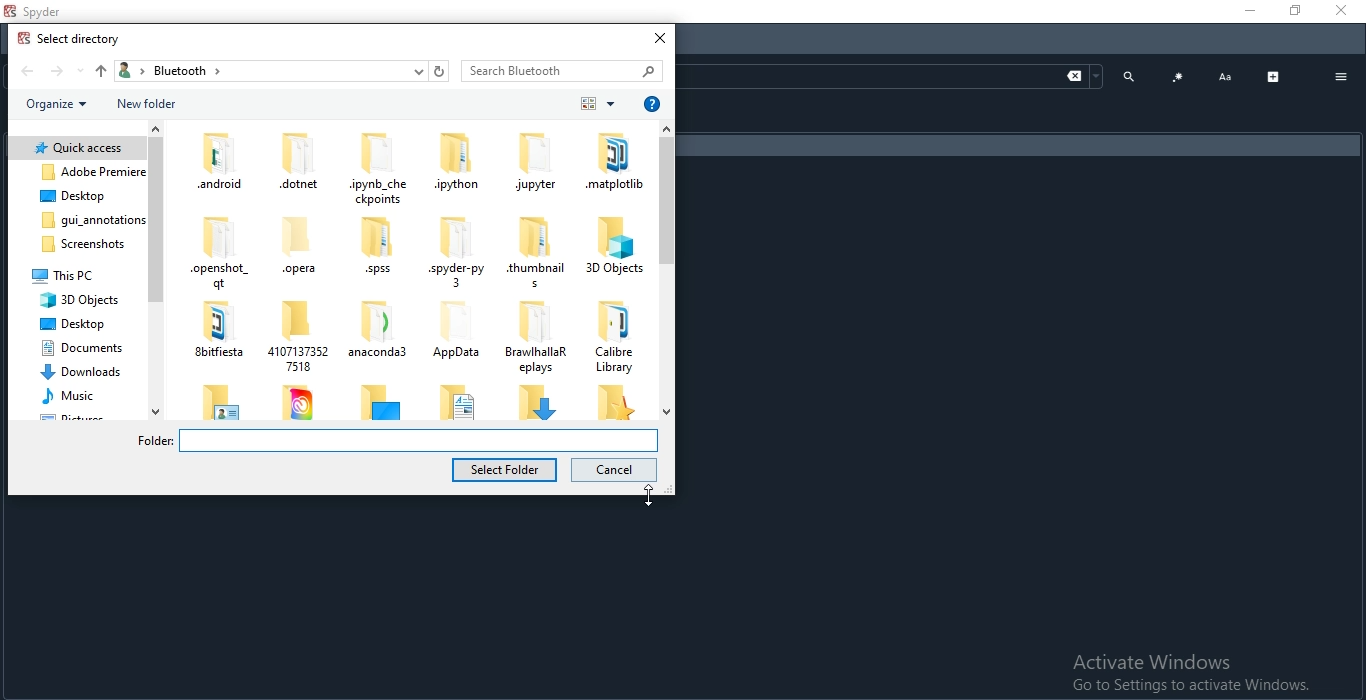 This screenshot has width=1366, height=700. Describe the element at coordinates (38, 12) in the screenshot. I see `spyder` at that location.